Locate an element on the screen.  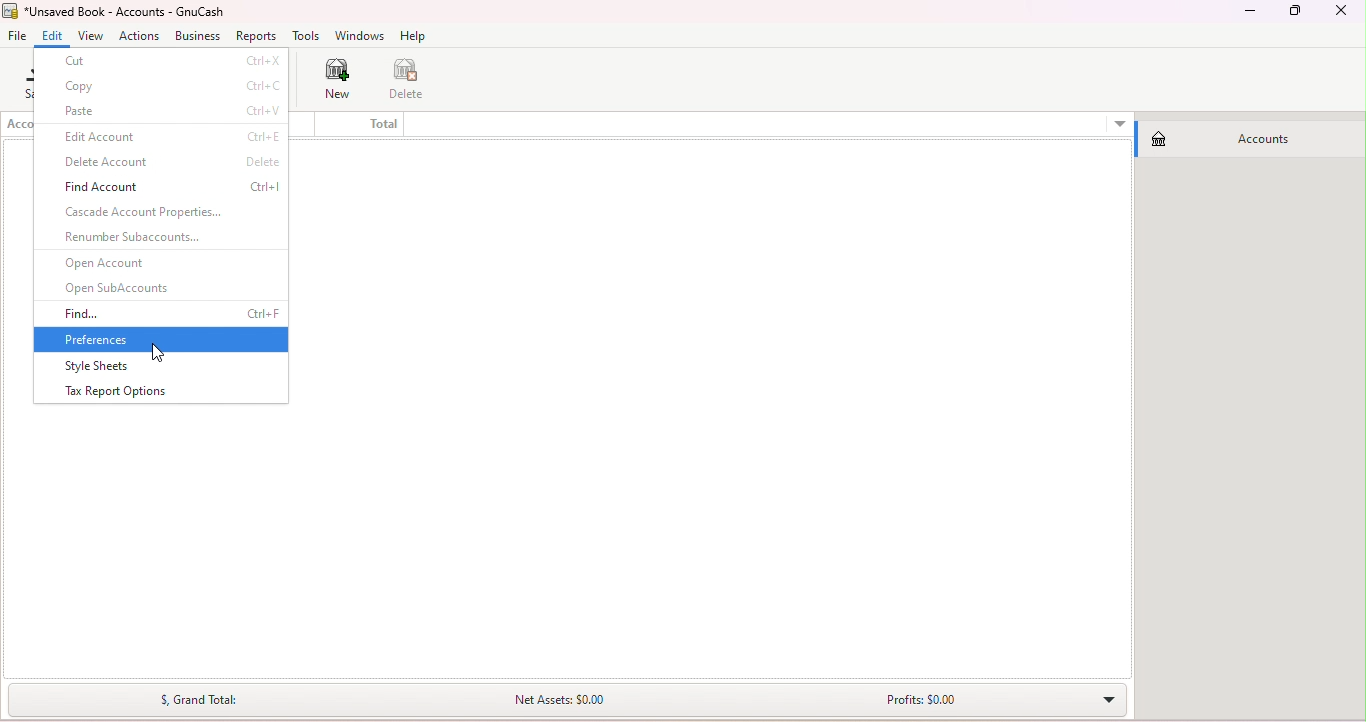
Tools is located at coordinates (306, 35).